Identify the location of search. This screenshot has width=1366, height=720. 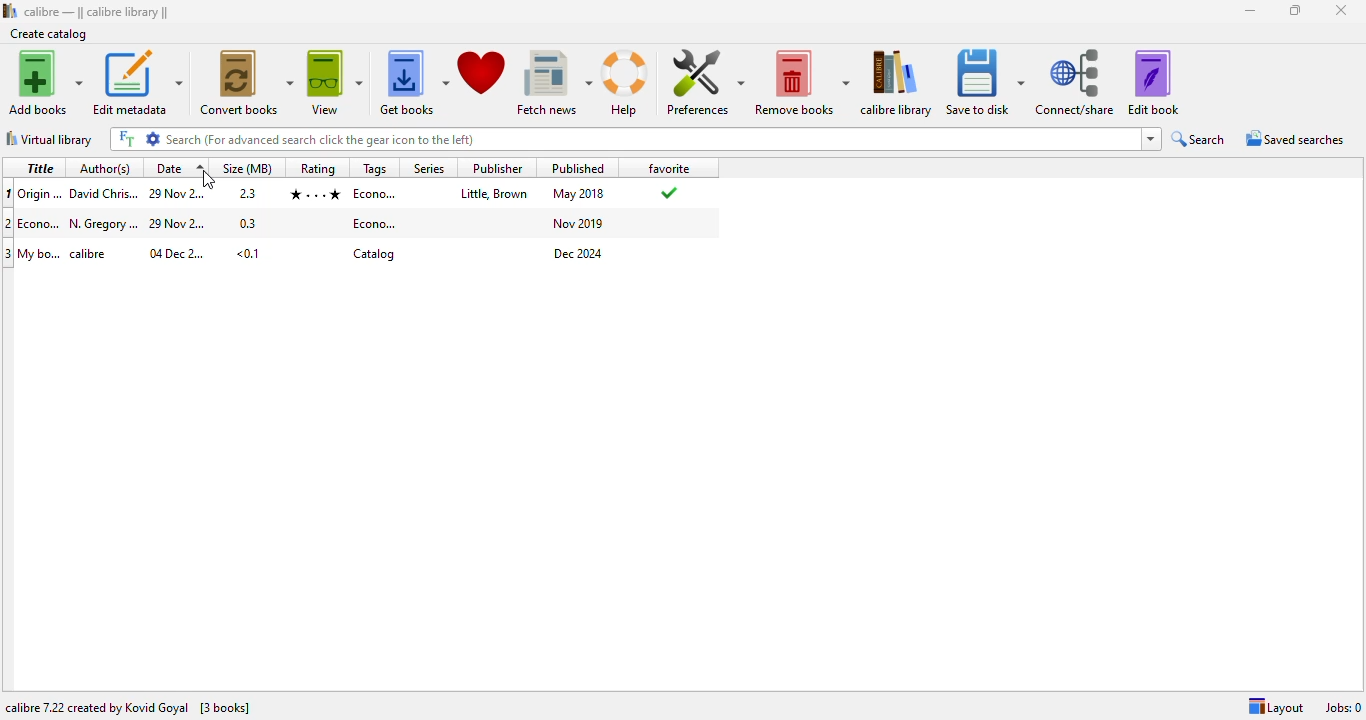
(652, 139).